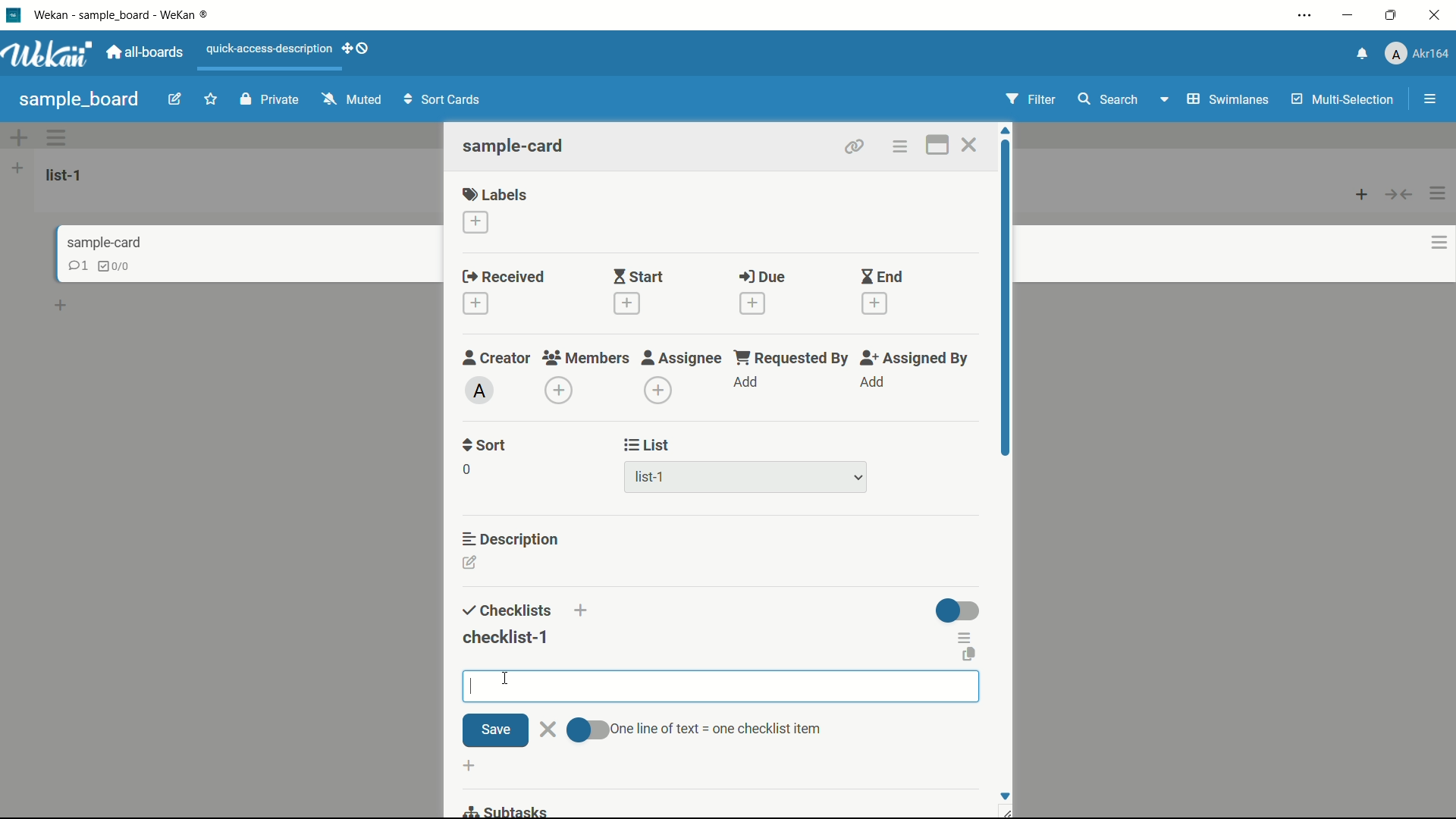 This screenshot has height=819, width=1456. Describe the element at coordinates (1433, 240) in the screenshot. I see `options` at that location.